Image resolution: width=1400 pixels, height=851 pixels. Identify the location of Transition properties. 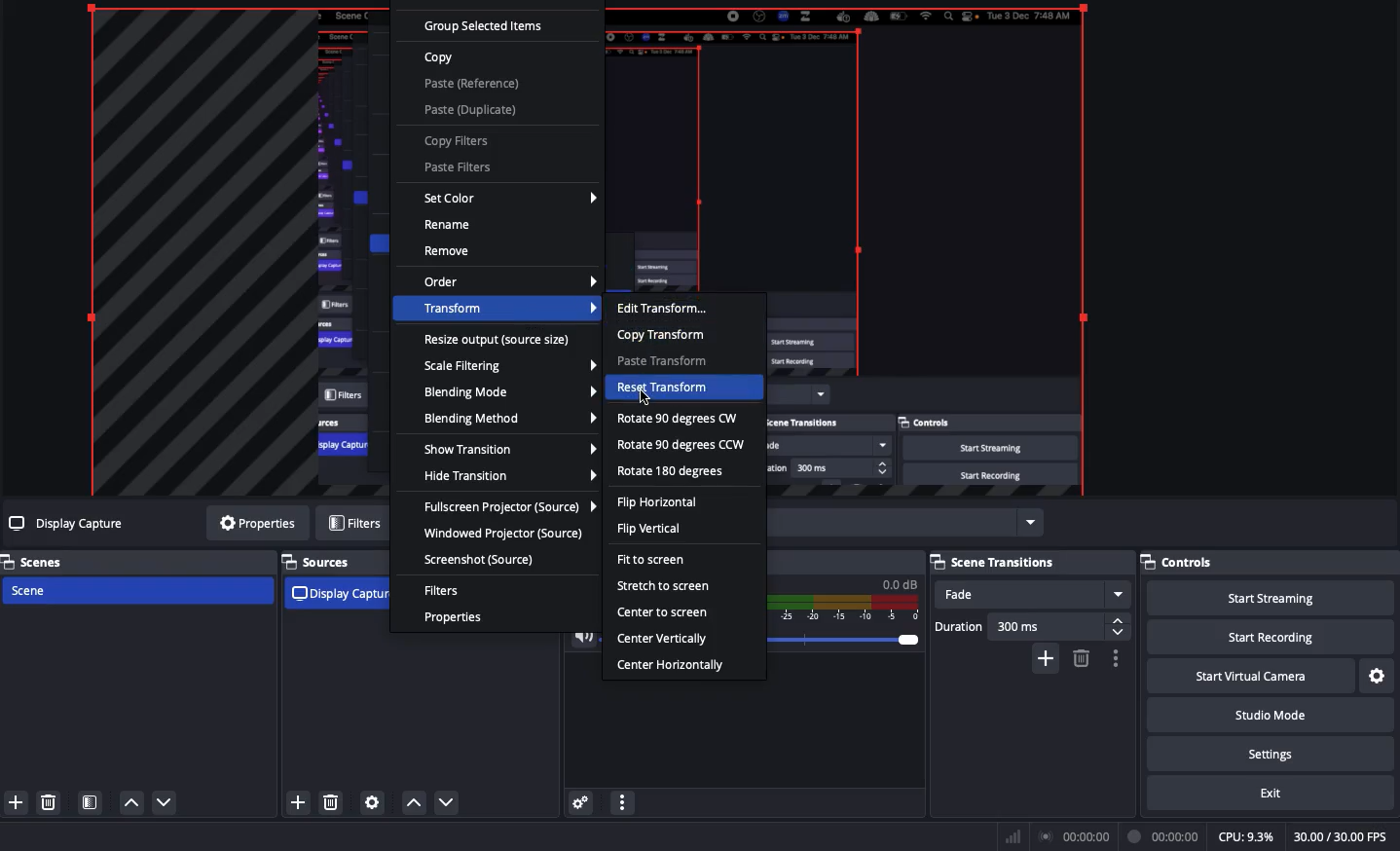
(1115, 658).